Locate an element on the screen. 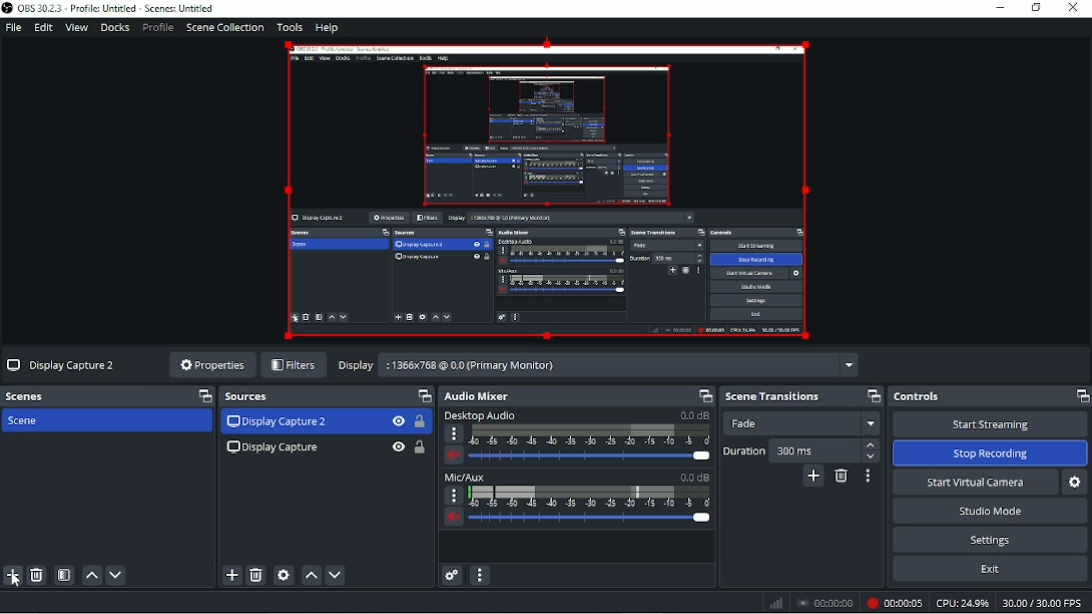  0.0 dB is located at coordinates (692, 476).